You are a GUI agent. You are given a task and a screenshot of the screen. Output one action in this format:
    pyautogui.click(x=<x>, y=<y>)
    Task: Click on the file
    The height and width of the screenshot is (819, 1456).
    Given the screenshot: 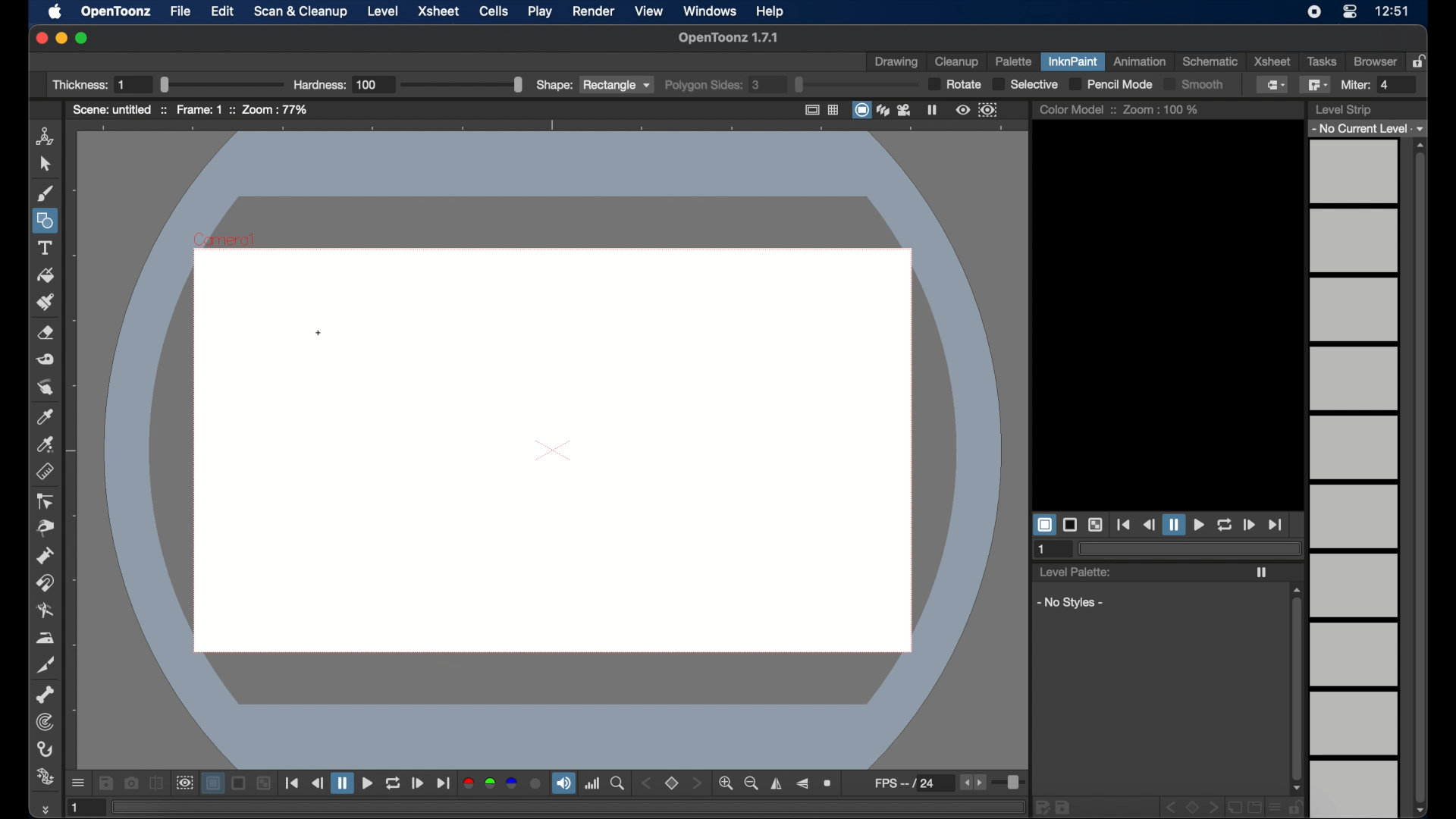 What is the action you would take?
    pyautogui.click(x=180, y=11)
    